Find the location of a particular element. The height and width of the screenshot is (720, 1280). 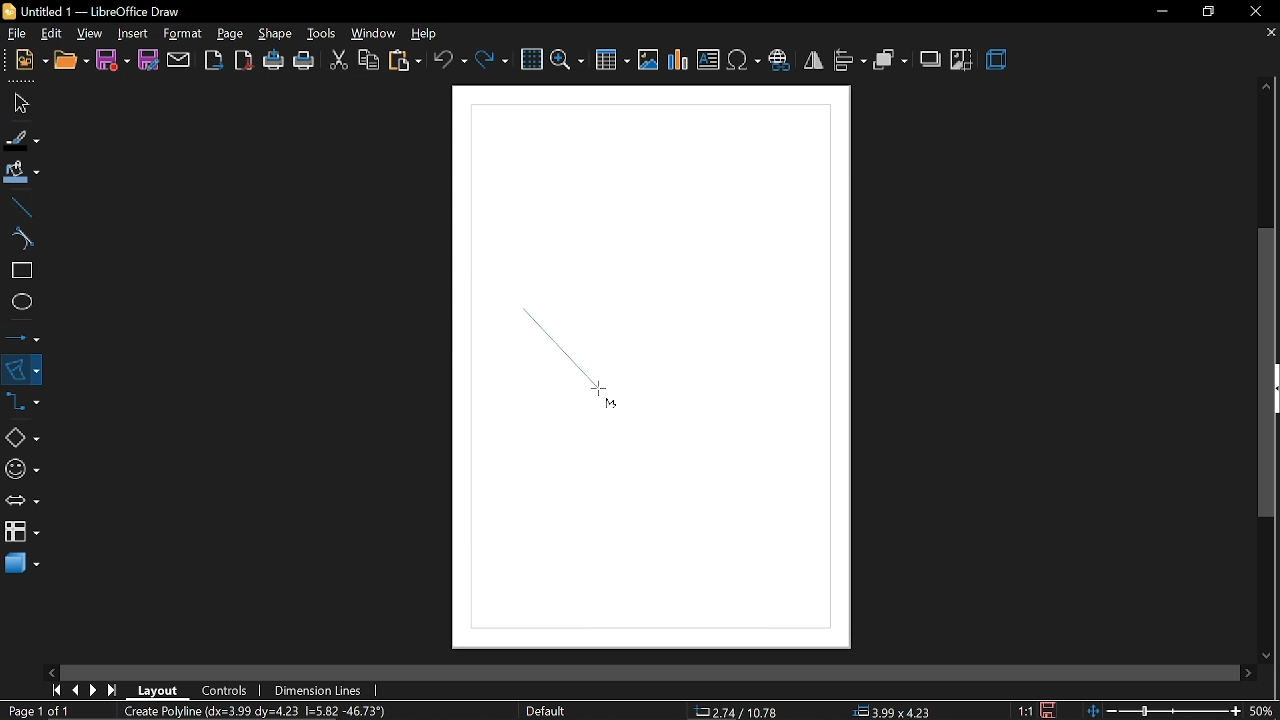

export is located at coordinates (213, 59).